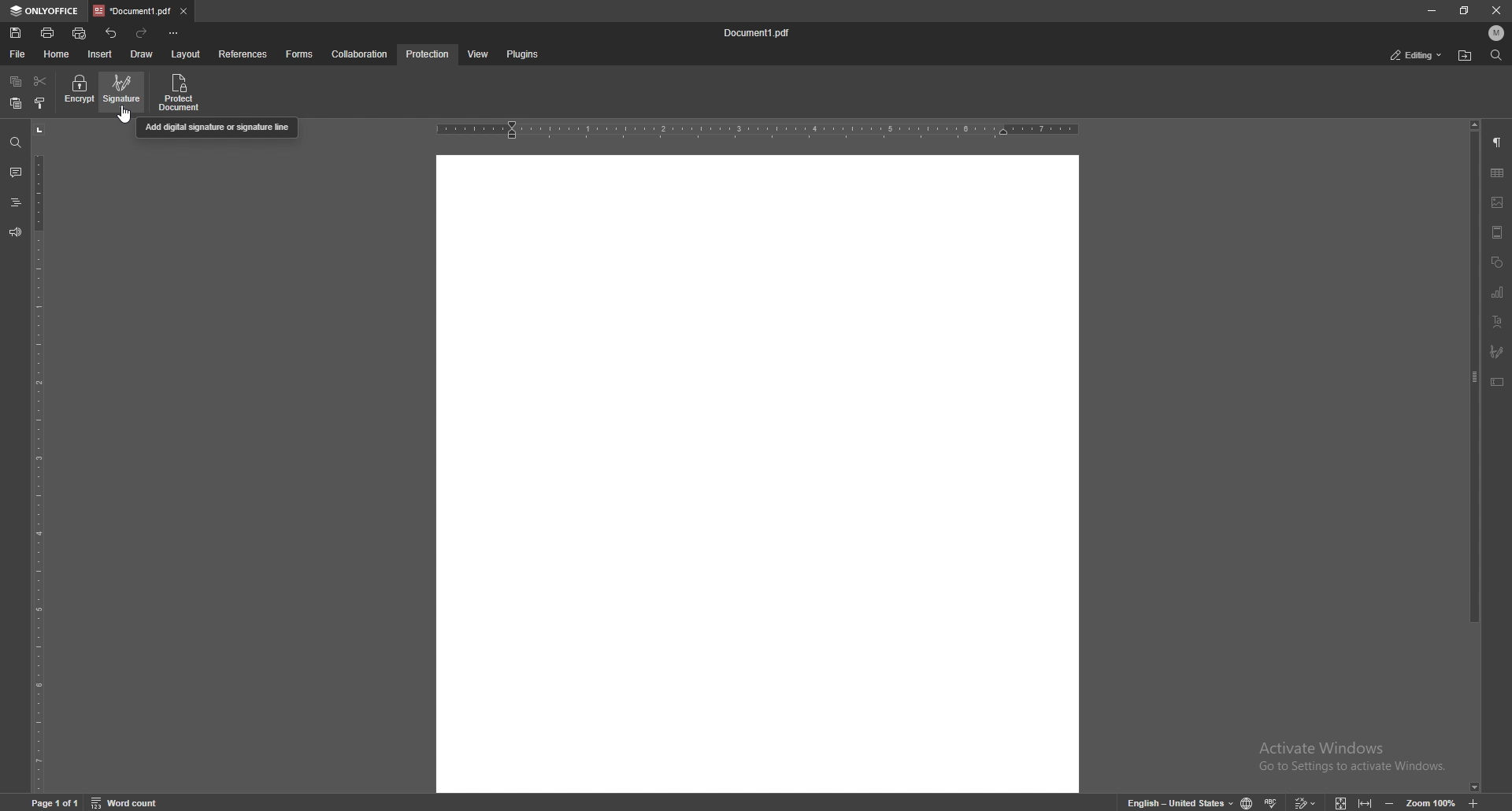  Describe the element at coordinates (184, 10) in the screenshot. I see `close tab` at that location.